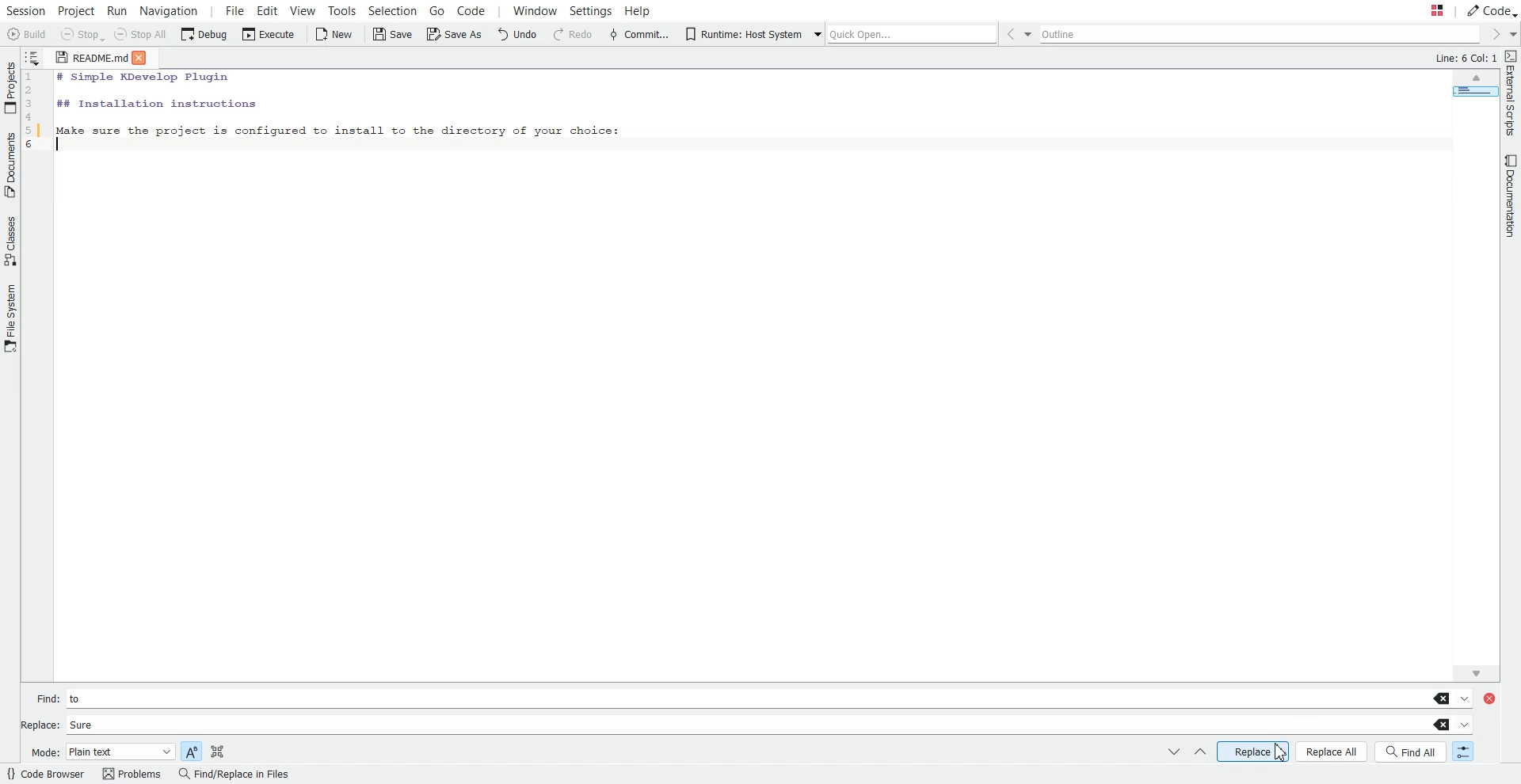 Image resolution: width=1521 pixels, height=784 pixels. Describe the element at coordinates (1477, 670) in the screenshot. I see `Scroll Bar Down` at that location.